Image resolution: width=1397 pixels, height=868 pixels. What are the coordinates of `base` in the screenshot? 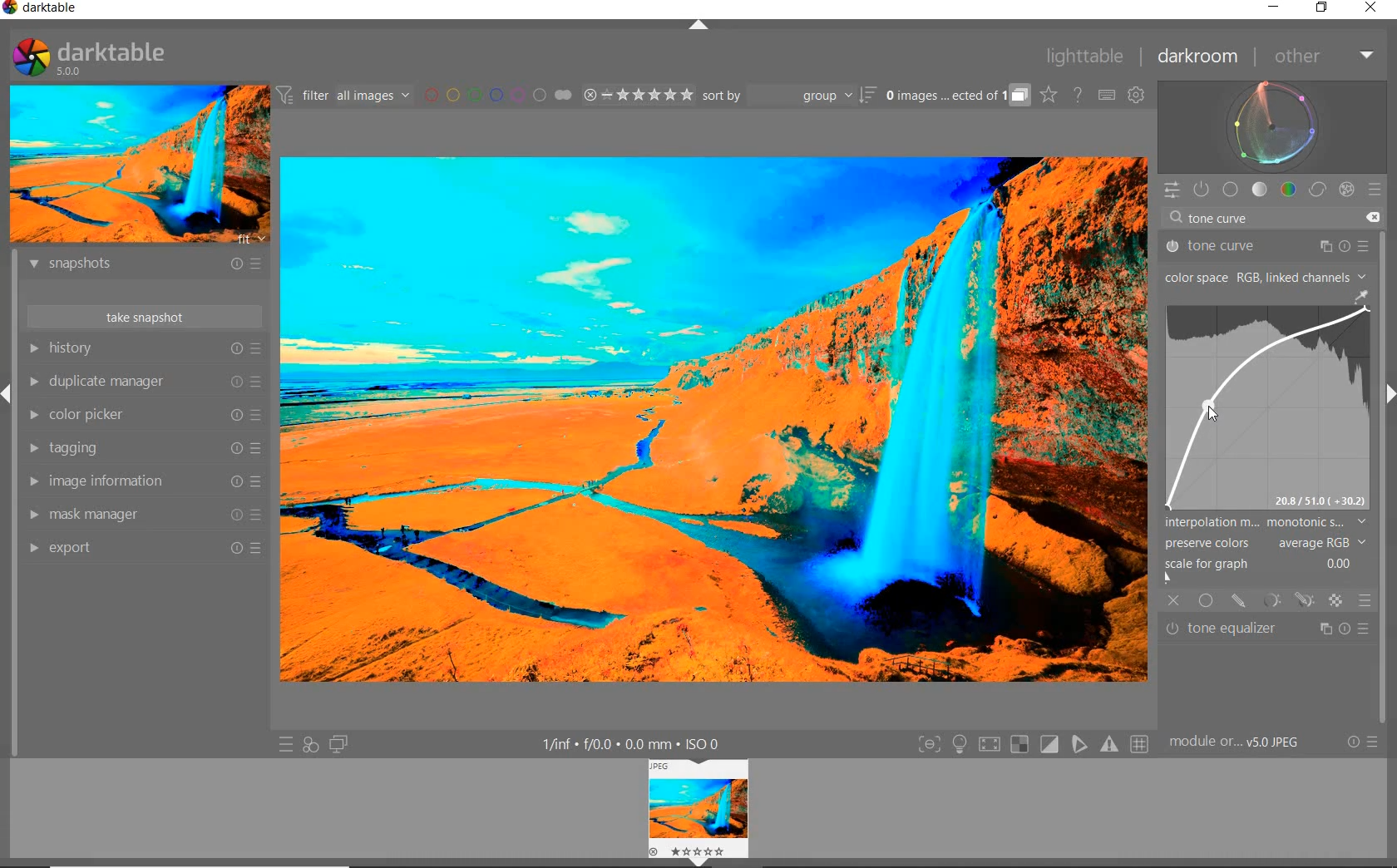 It's located at (1232, 189).